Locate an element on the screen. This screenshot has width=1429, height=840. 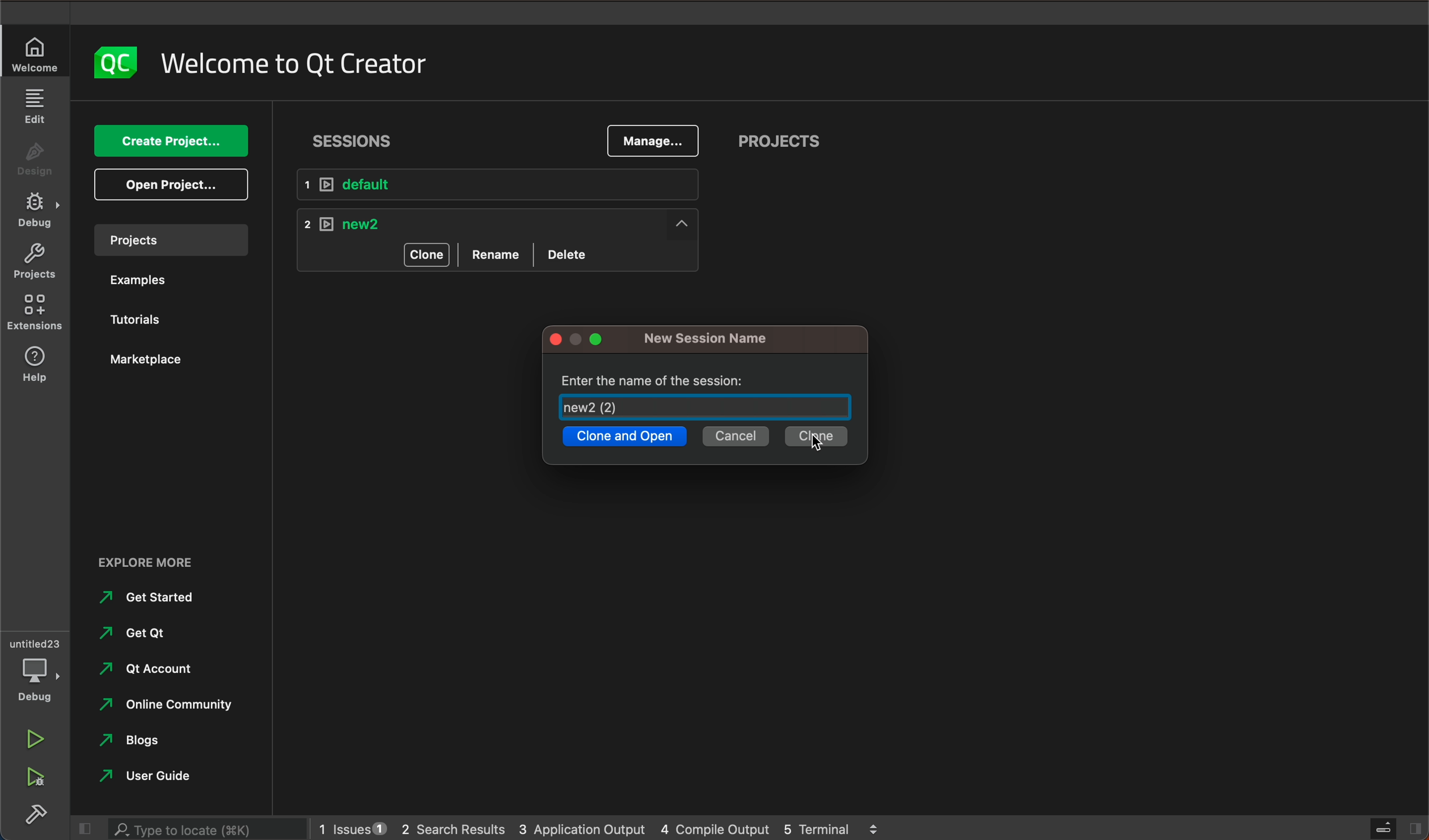
examples is located at coordinates (130, 281).